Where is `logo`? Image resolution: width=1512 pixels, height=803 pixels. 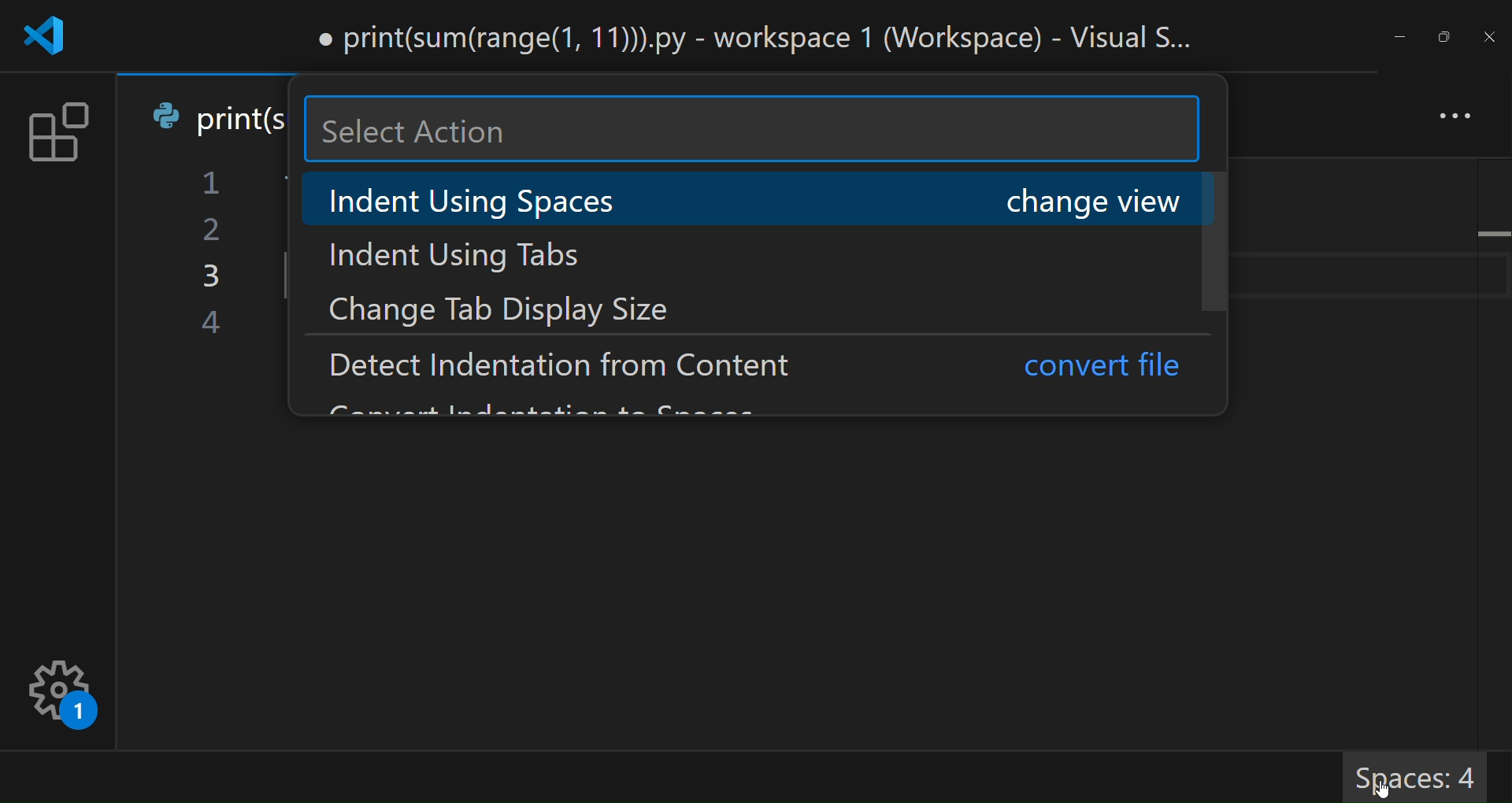 logo is located at coordinates (42, 39).